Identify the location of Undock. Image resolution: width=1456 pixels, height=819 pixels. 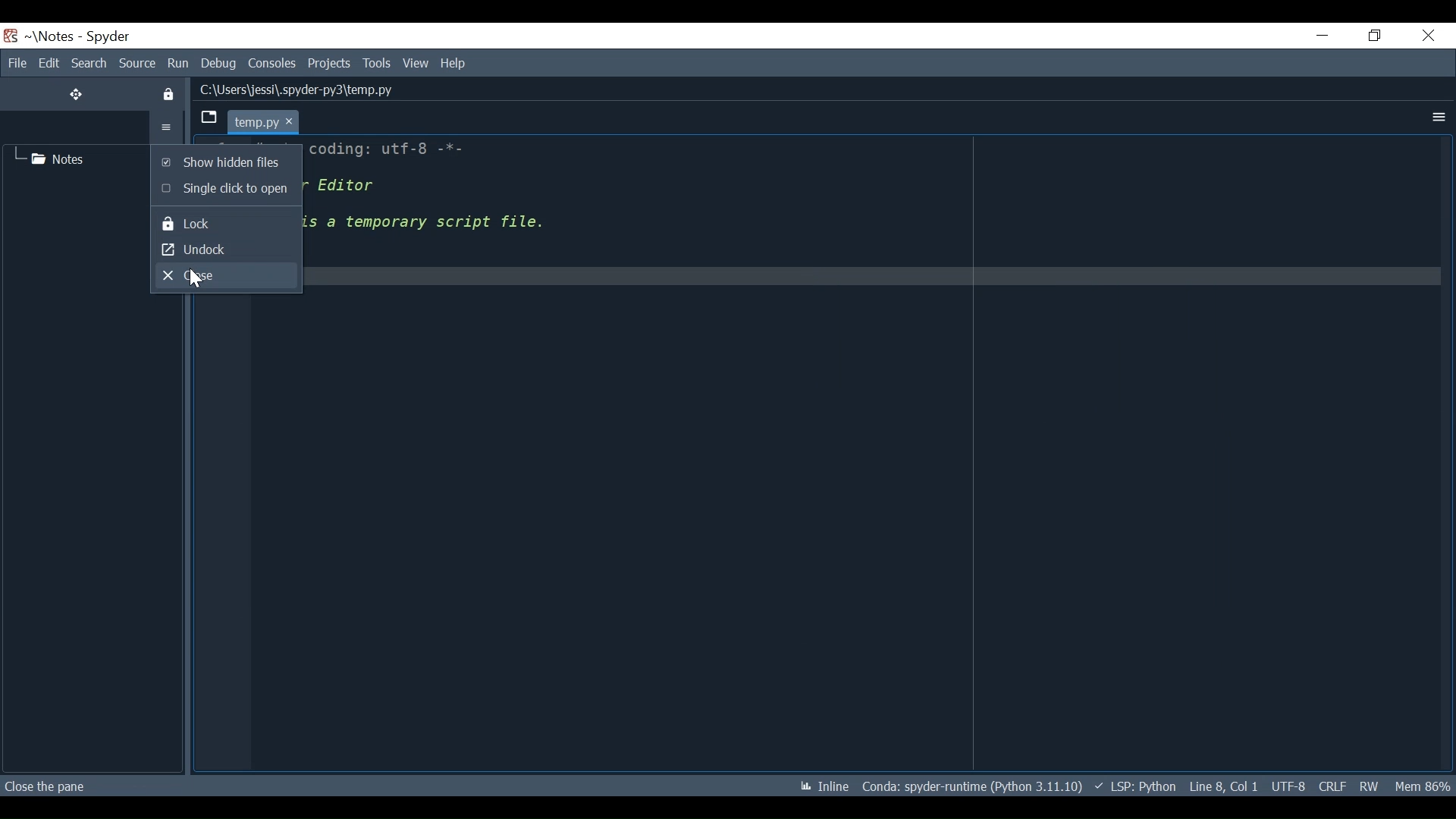
(225, 249).